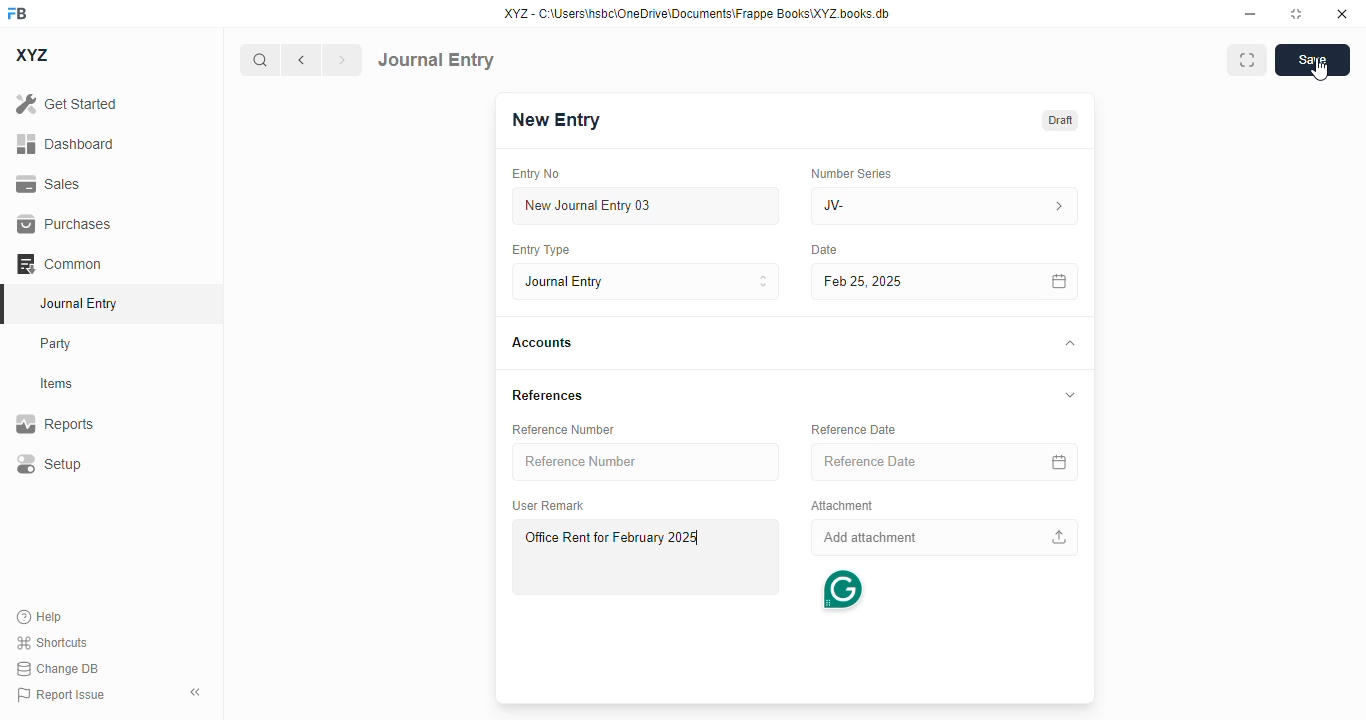 The image size is (1366, 720). I want to click on save, so click(1313, 60).